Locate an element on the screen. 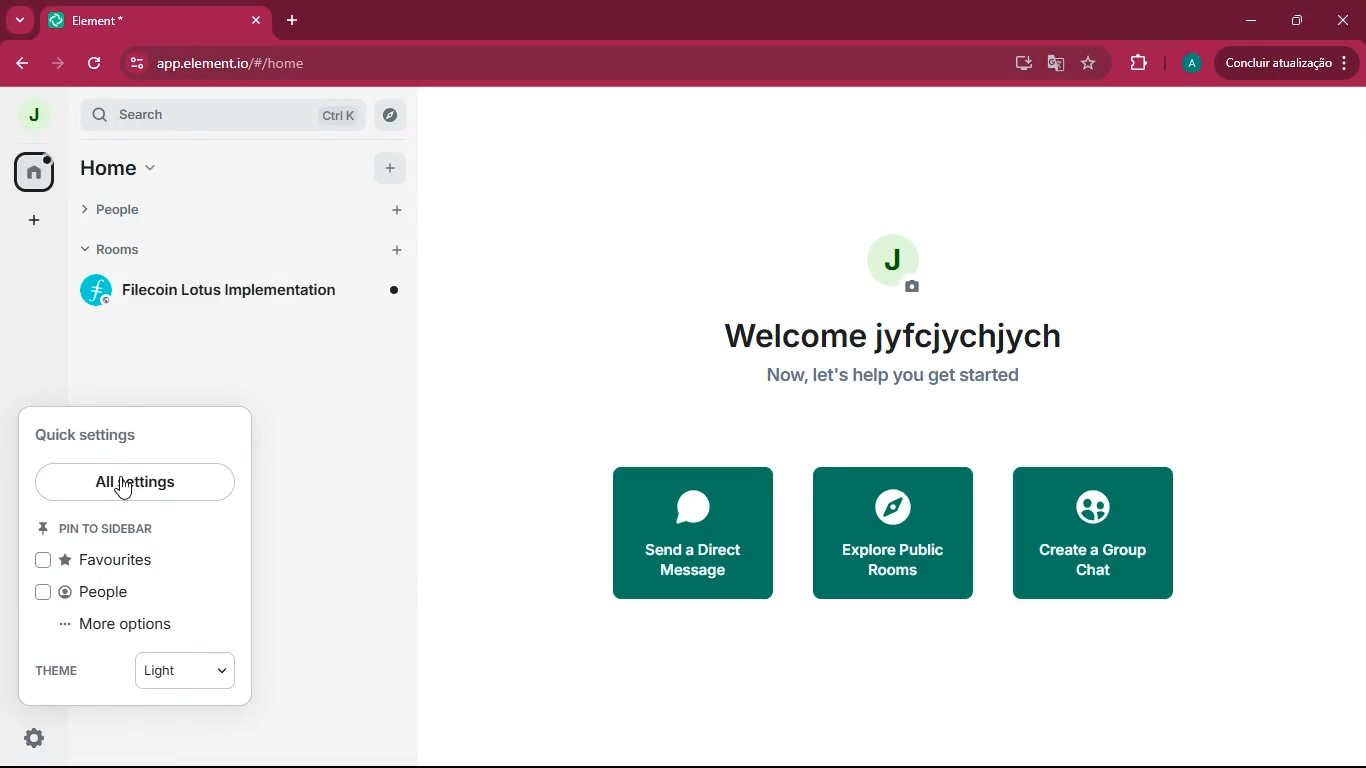 Image resolution: width=1366 pixels, height=768 pixels. people is located at coordinates (213, 210).